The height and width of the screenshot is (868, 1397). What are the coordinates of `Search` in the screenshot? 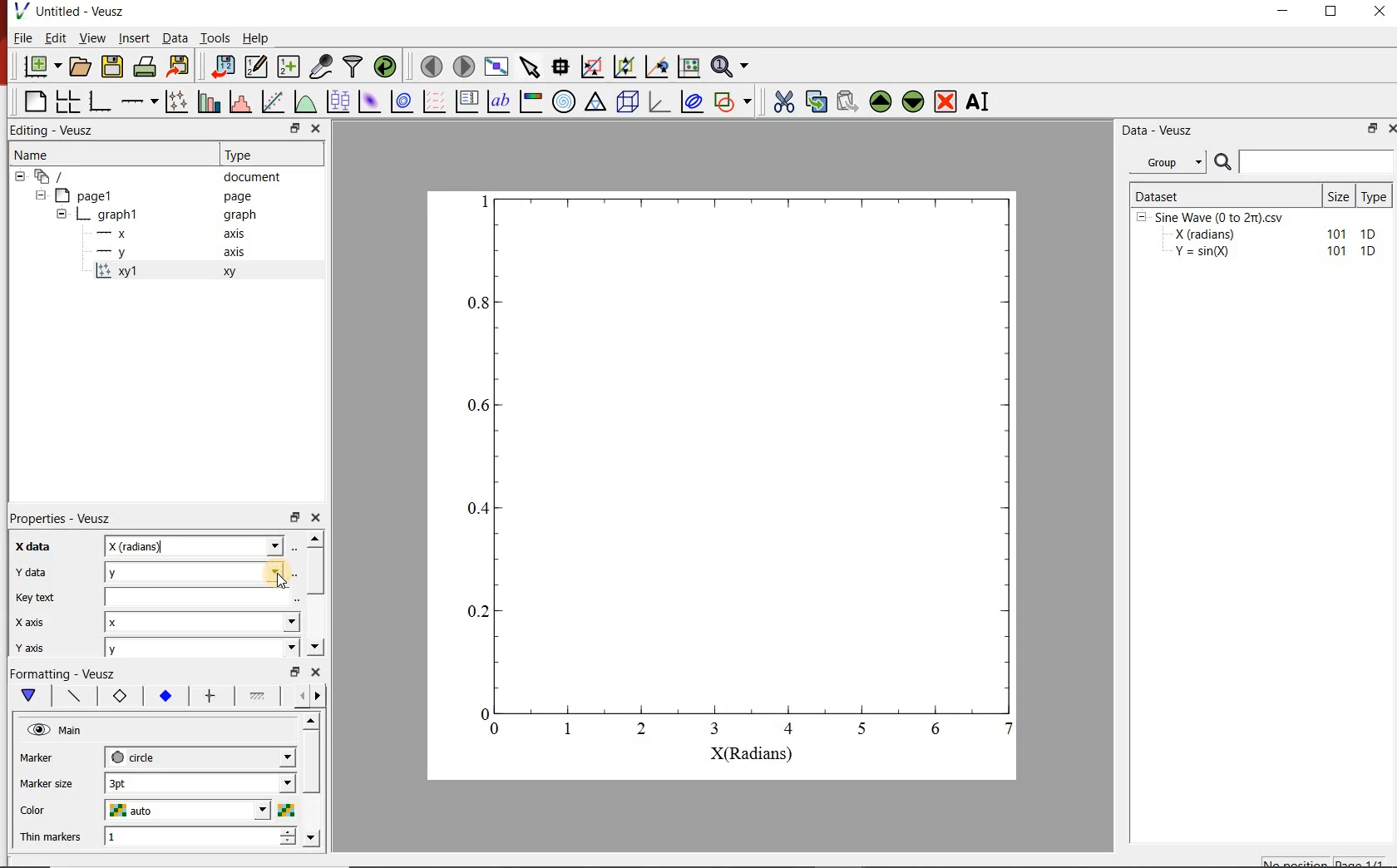 It's located at (1305, 162).